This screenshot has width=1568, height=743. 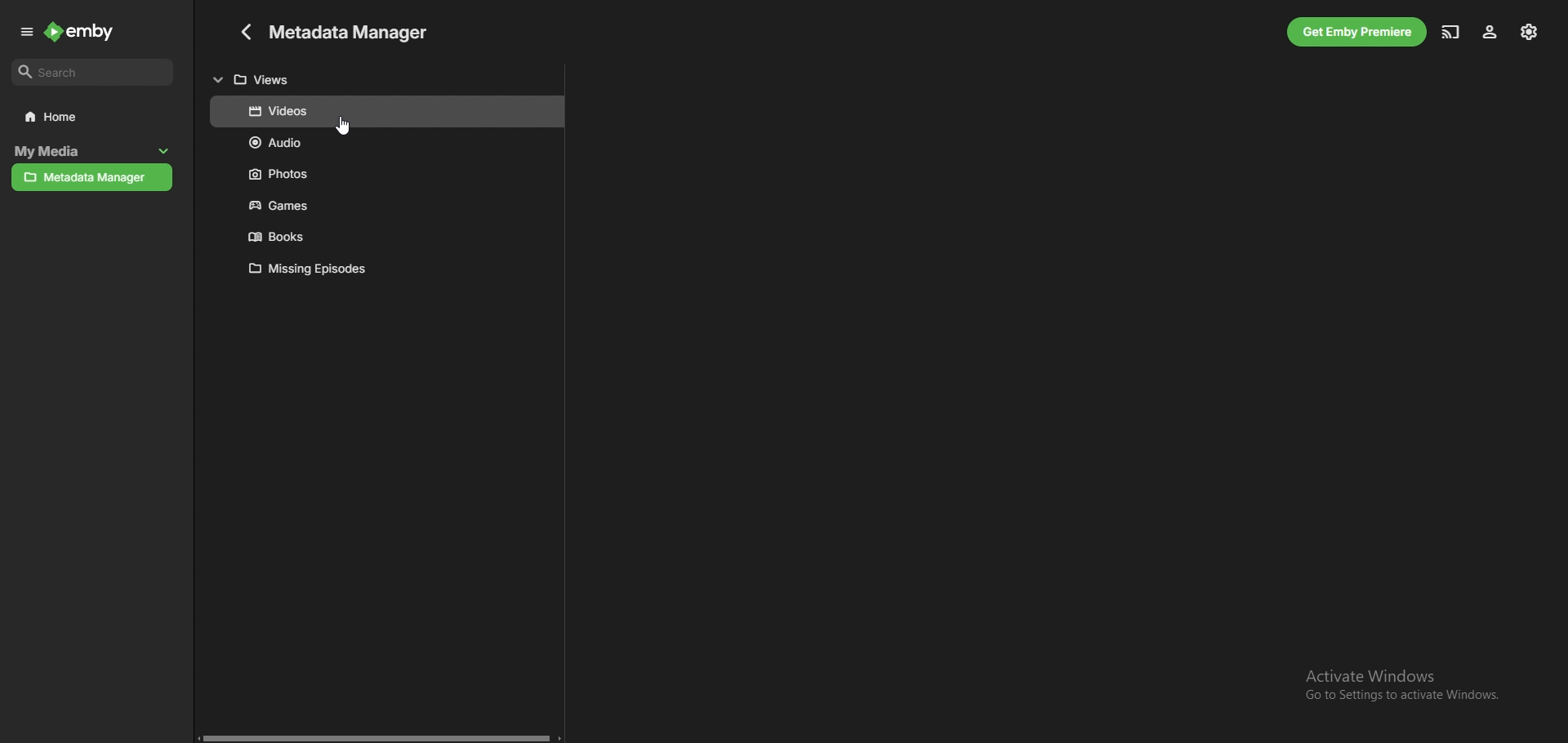 I want to click on metadata manager, so click(x=353, y=30).